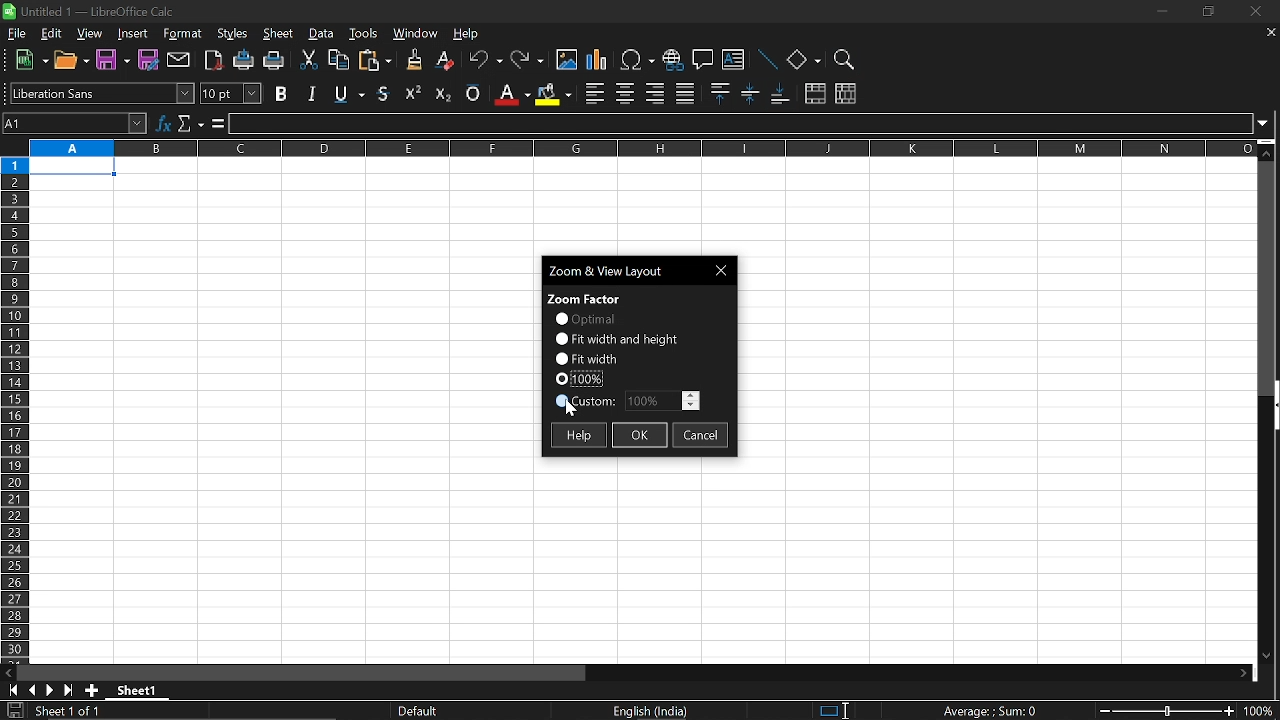  Describe the element at coordinates (585, 297) in the screenshot. I see `zoom factor` at that location.